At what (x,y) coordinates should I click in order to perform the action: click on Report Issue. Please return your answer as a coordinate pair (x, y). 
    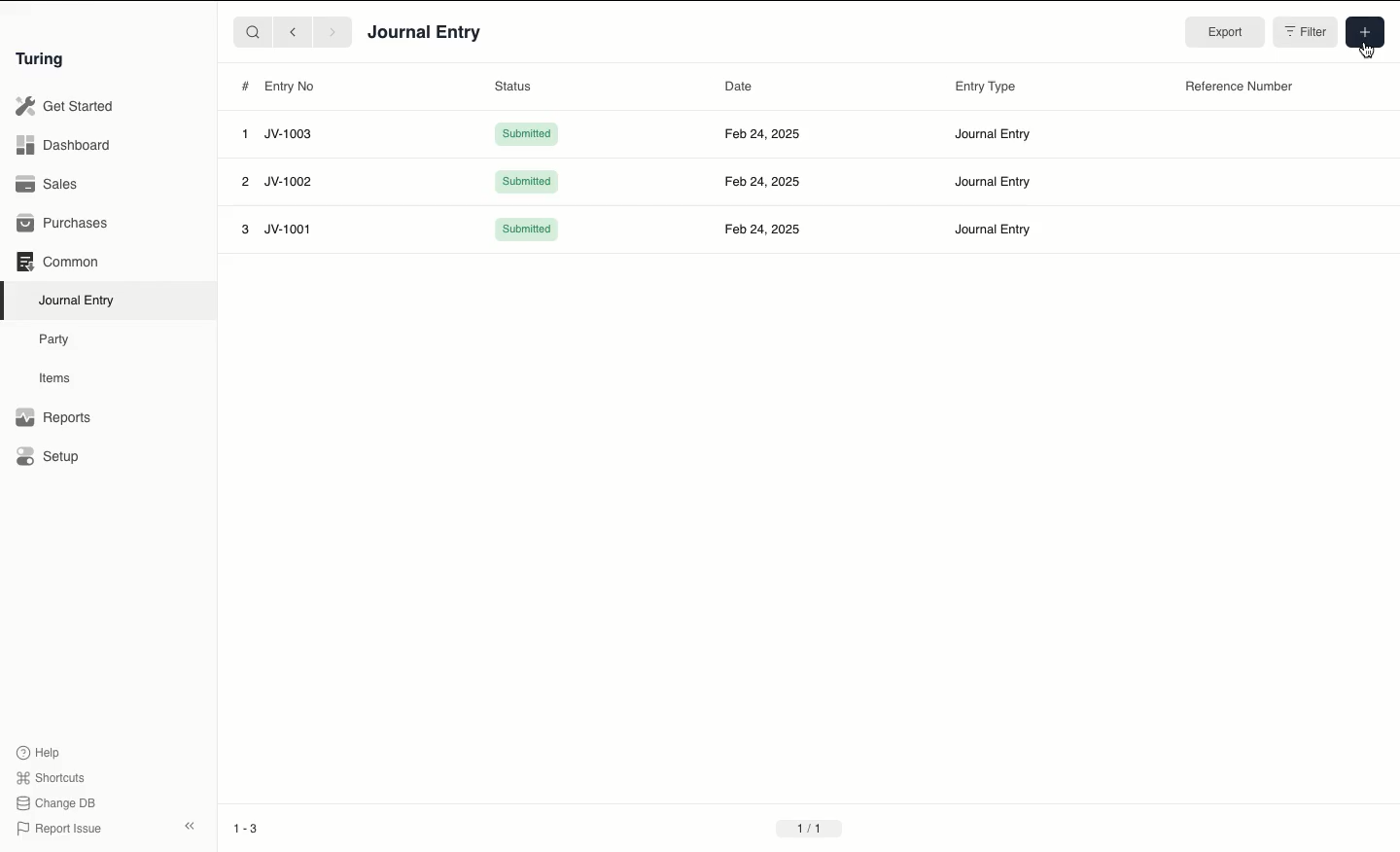
    Looking at the image, I should click on (61, 830).